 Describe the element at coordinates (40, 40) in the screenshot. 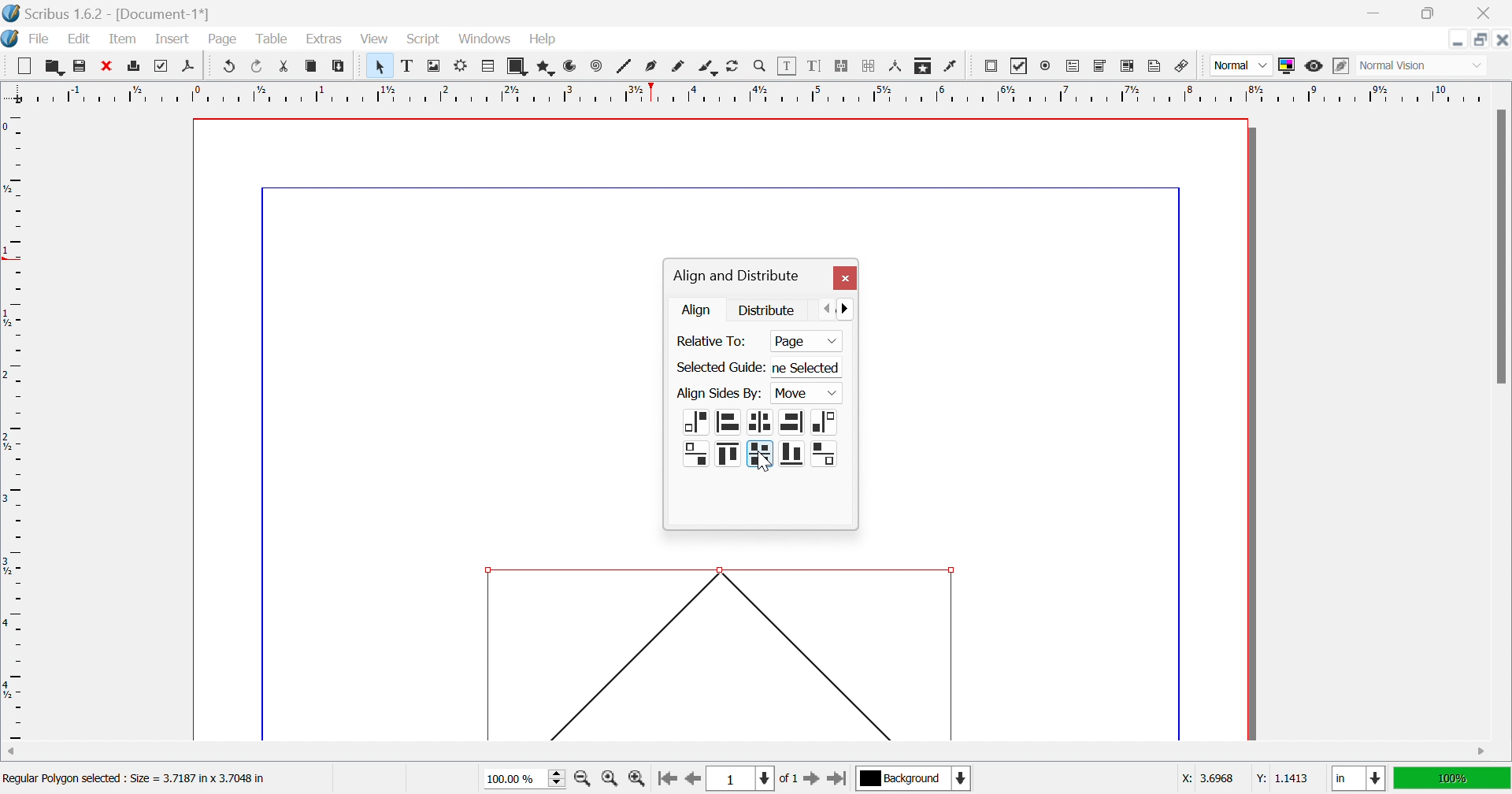

I see `File` at that location.